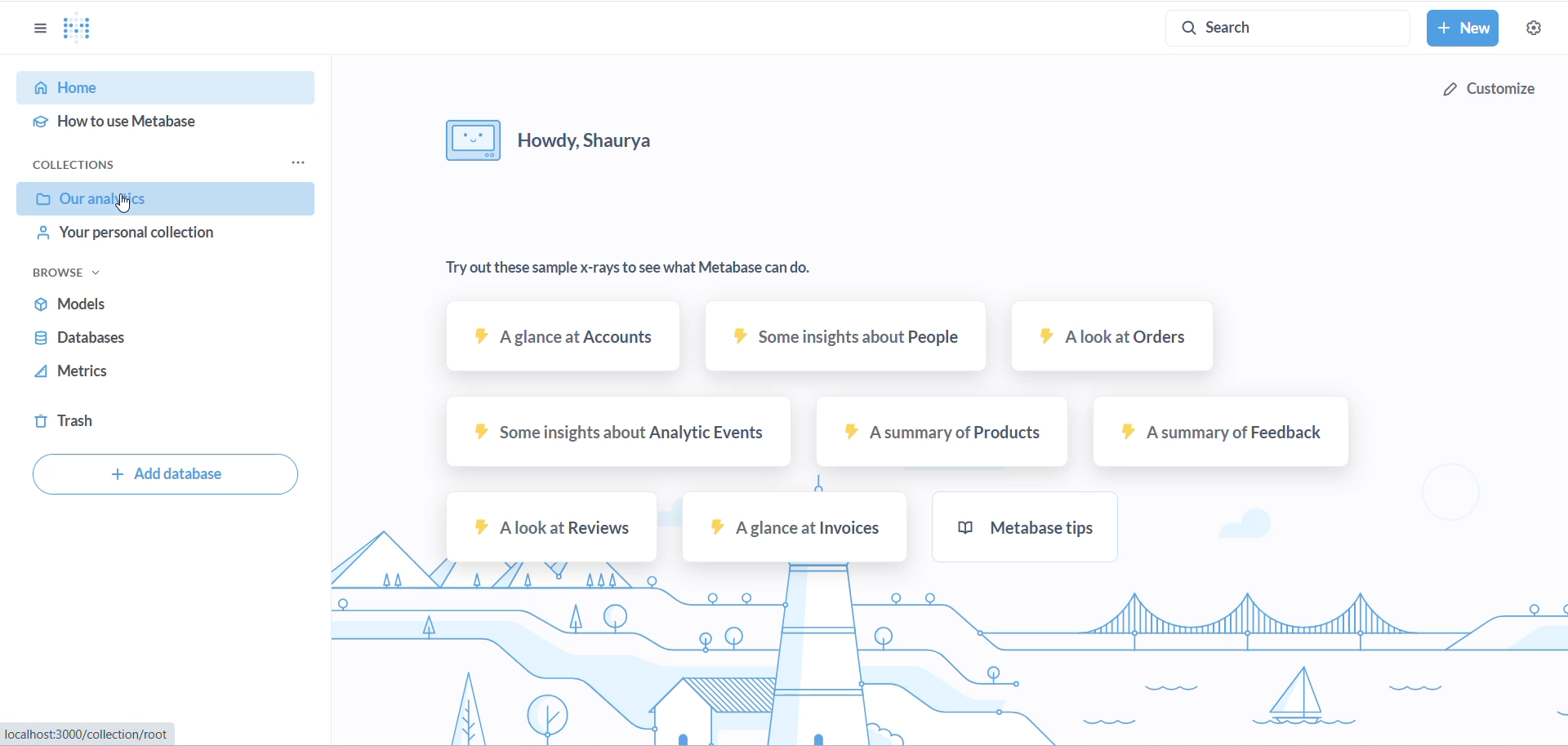  What do you see at coordinates (167, 122) in the screenshot?
I see `how to use Metabase` at bounding box center [167, 122].